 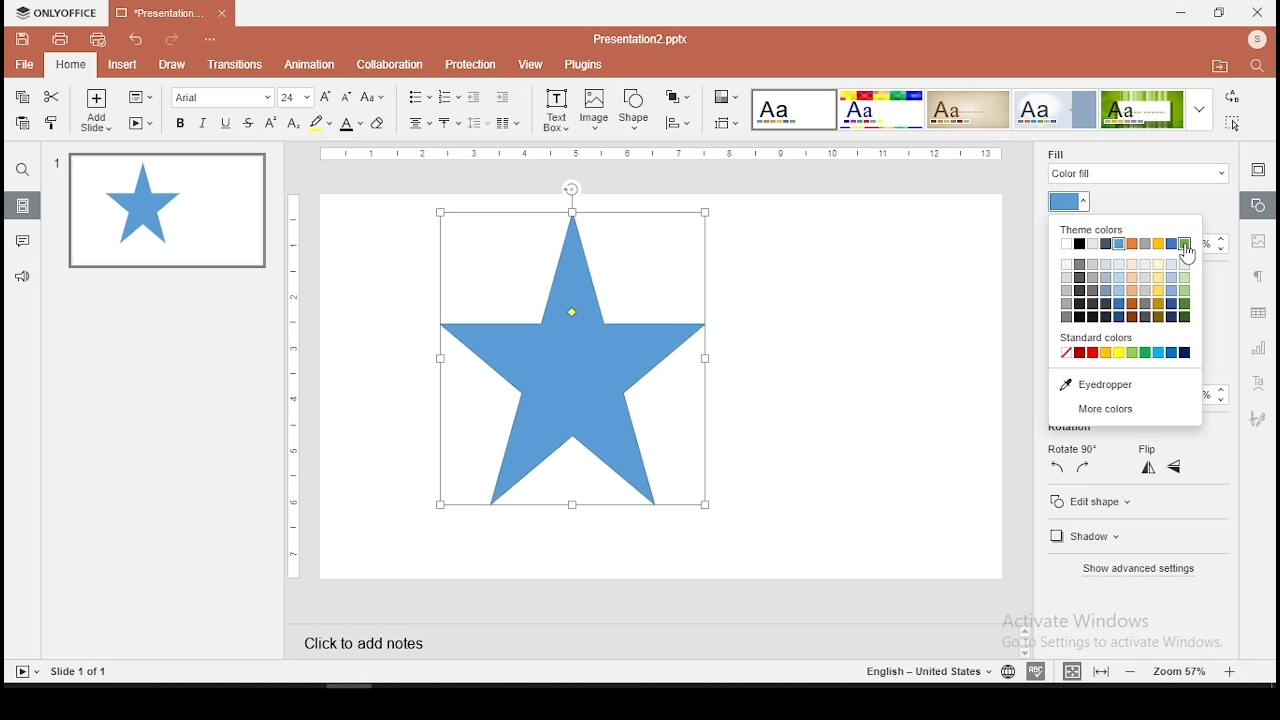 I want to click on replace, so click(x=1233, y=97).